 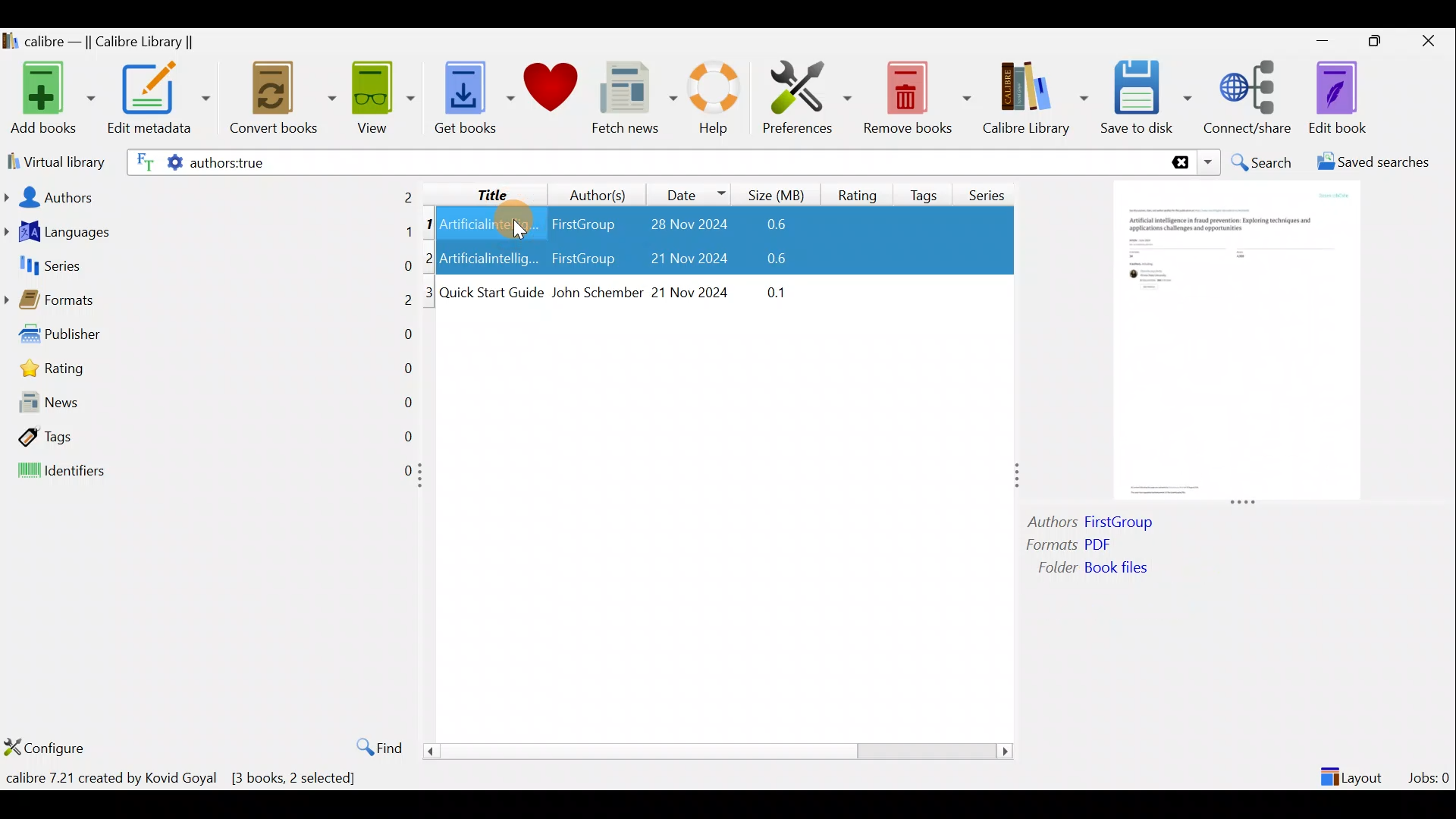 What do you see at coordinates (491, 293) in the screenshot?
I see `Quick Start Guide` at bounding box center [491, 293].